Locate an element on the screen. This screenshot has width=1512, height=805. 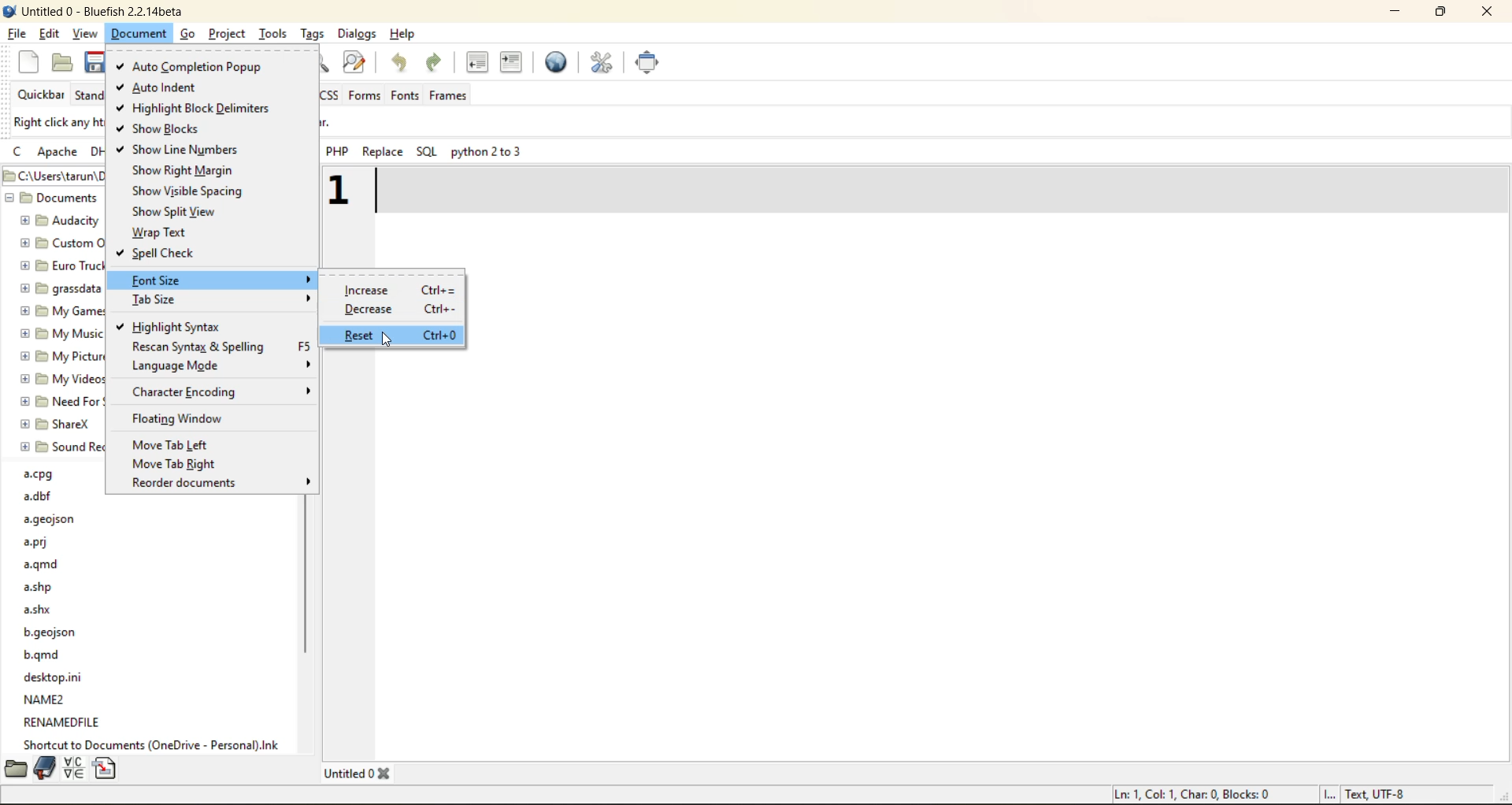
view is located at coordinates (84, 34).